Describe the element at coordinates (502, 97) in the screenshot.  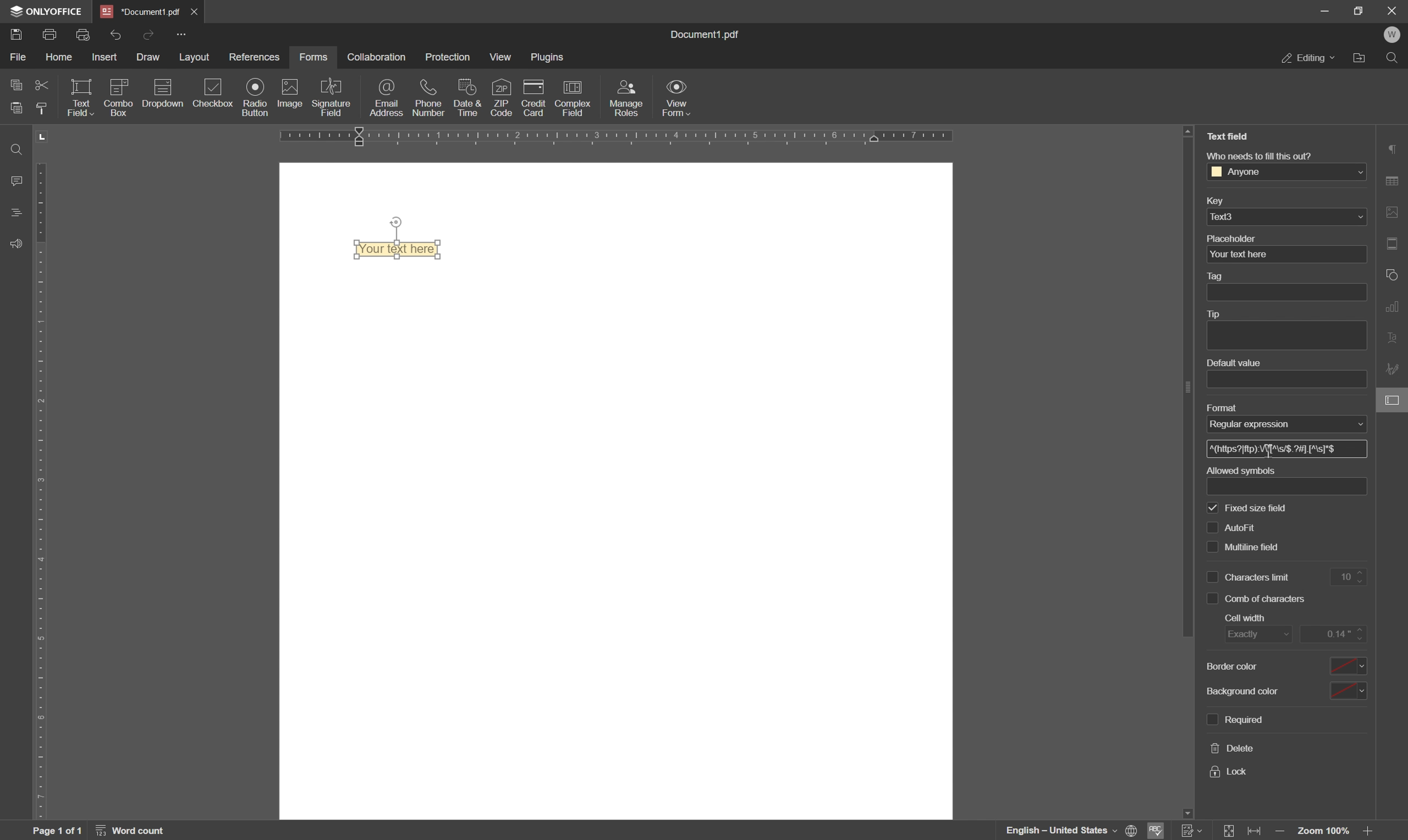
I see `zip code` at that location.